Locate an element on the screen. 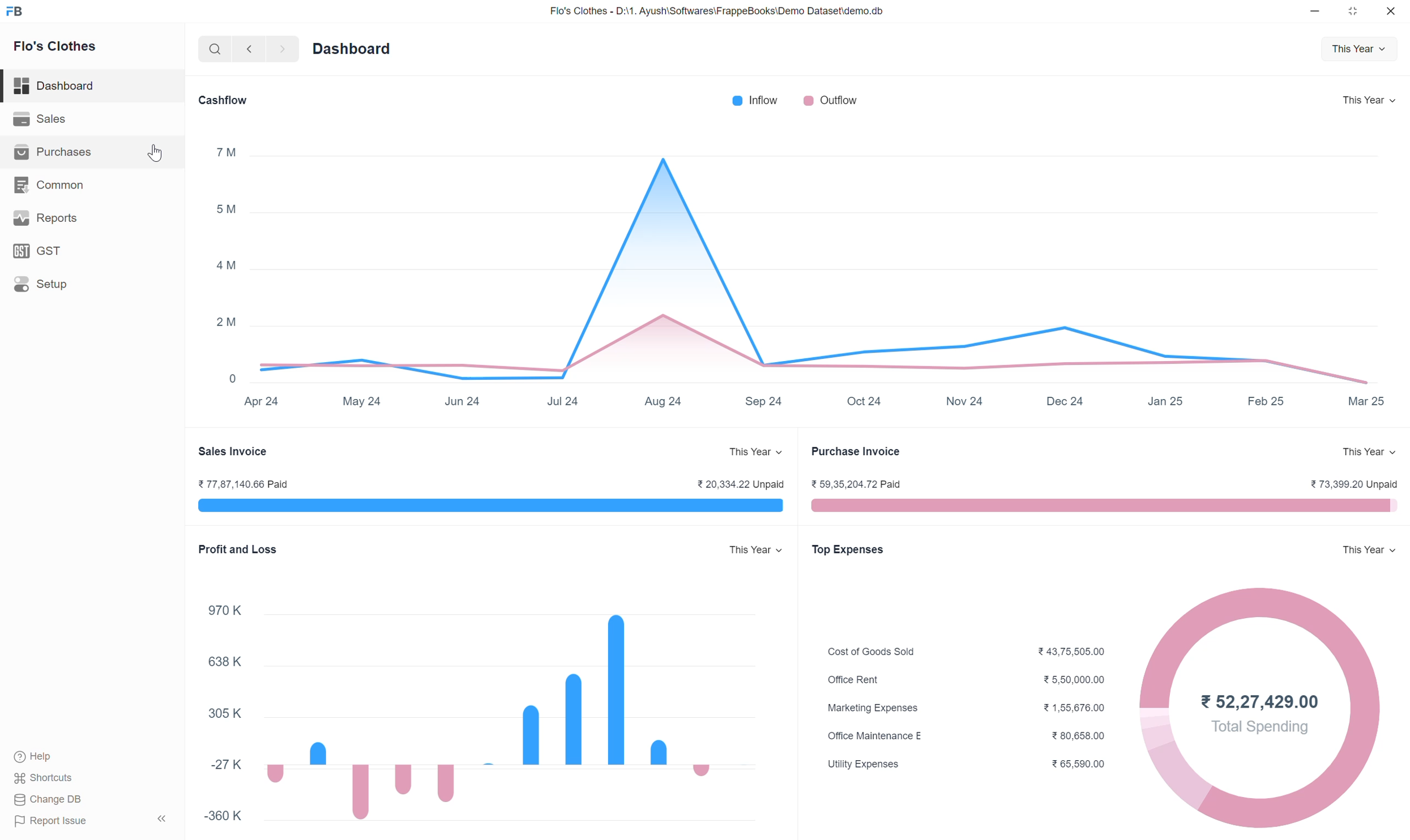  This Year  is located at coordinates (1360, 48).